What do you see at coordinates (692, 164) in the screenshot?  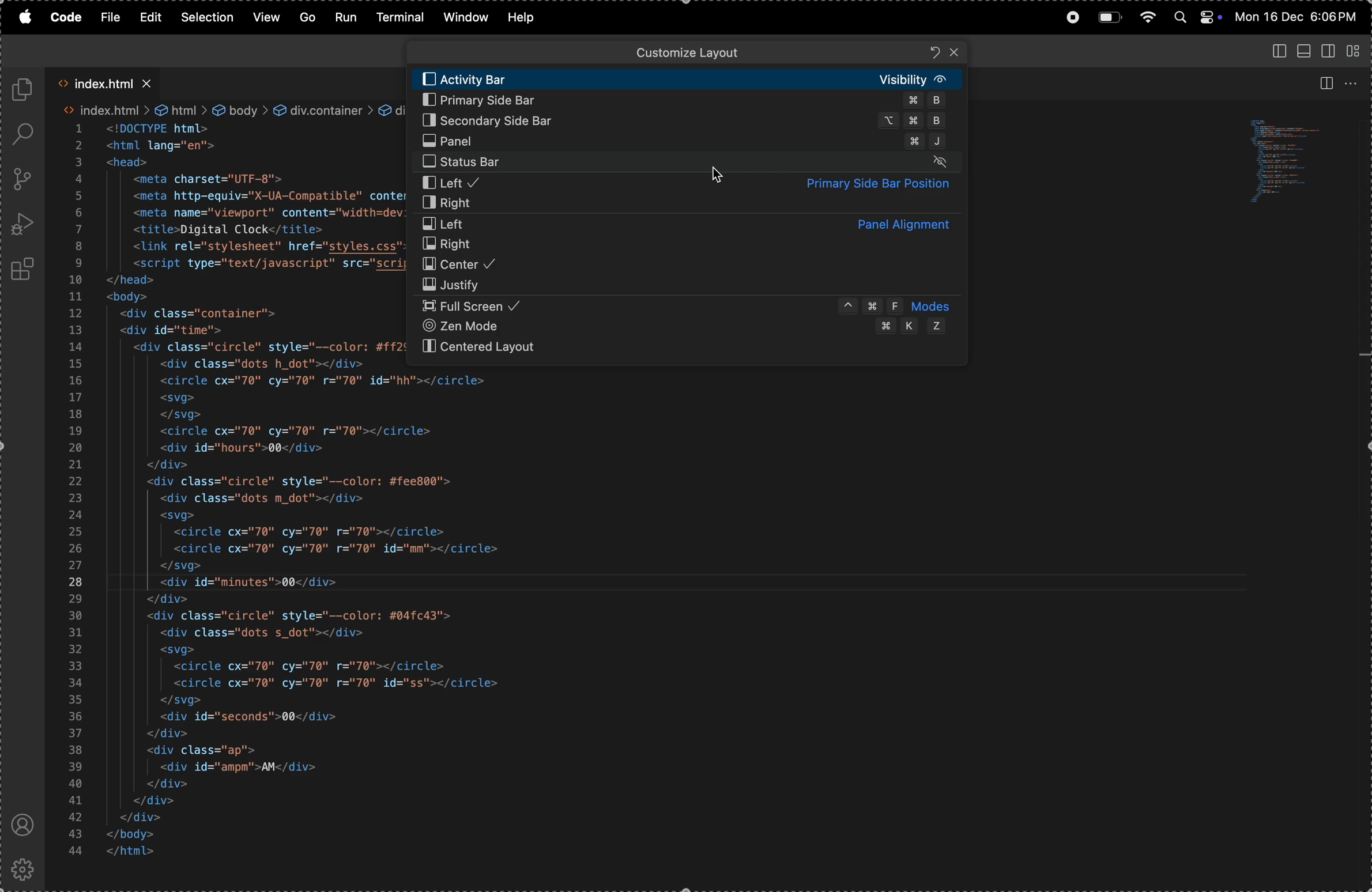 I see `stauts bar` at bounding box center [692, 164].